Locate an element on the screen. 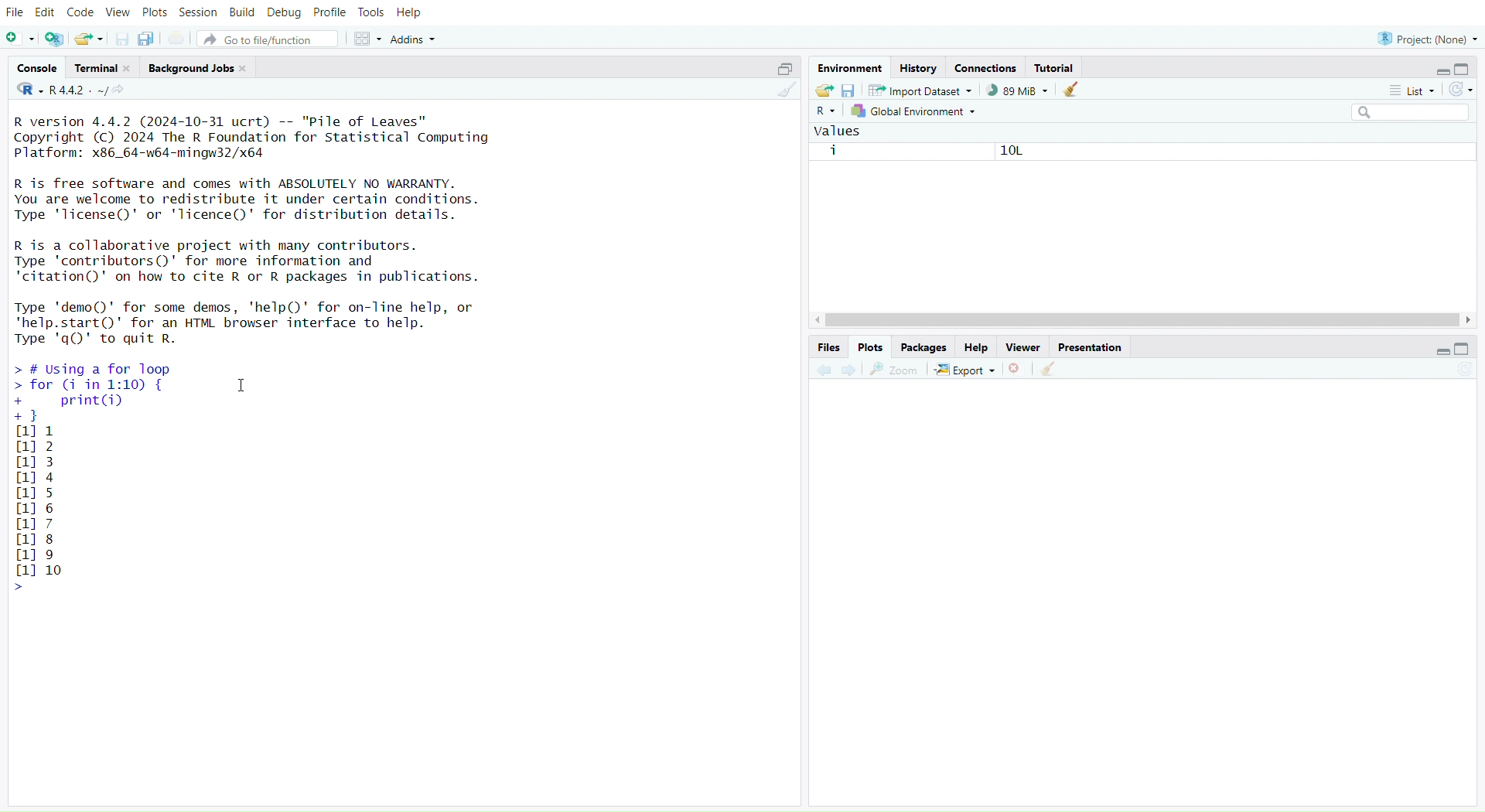 The image size is (1485, 812). search is located at coordinates (1402, 113).